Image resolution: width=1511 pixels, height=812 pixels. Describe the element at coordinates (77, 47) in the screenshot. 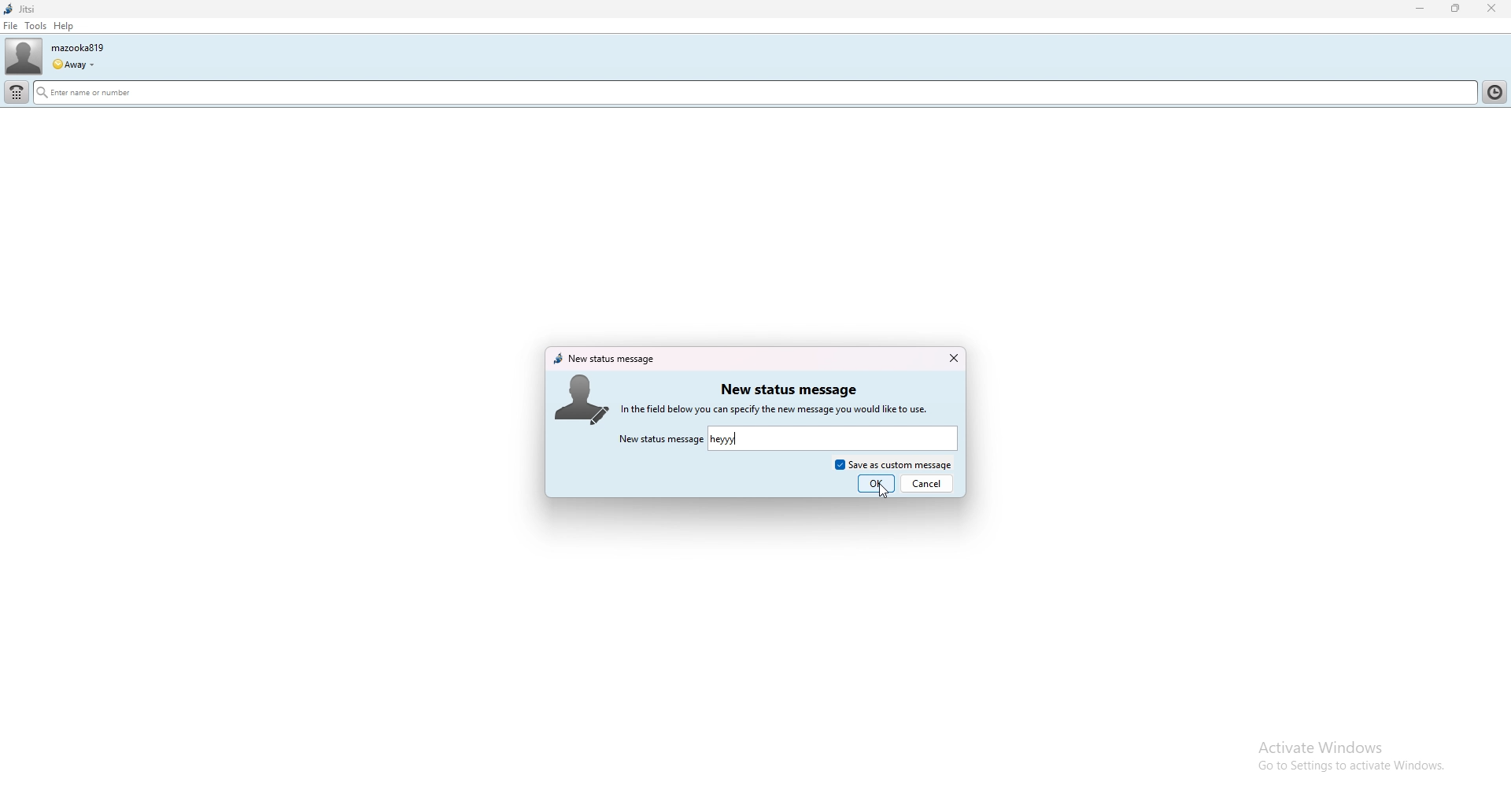

I see `username` at that location.